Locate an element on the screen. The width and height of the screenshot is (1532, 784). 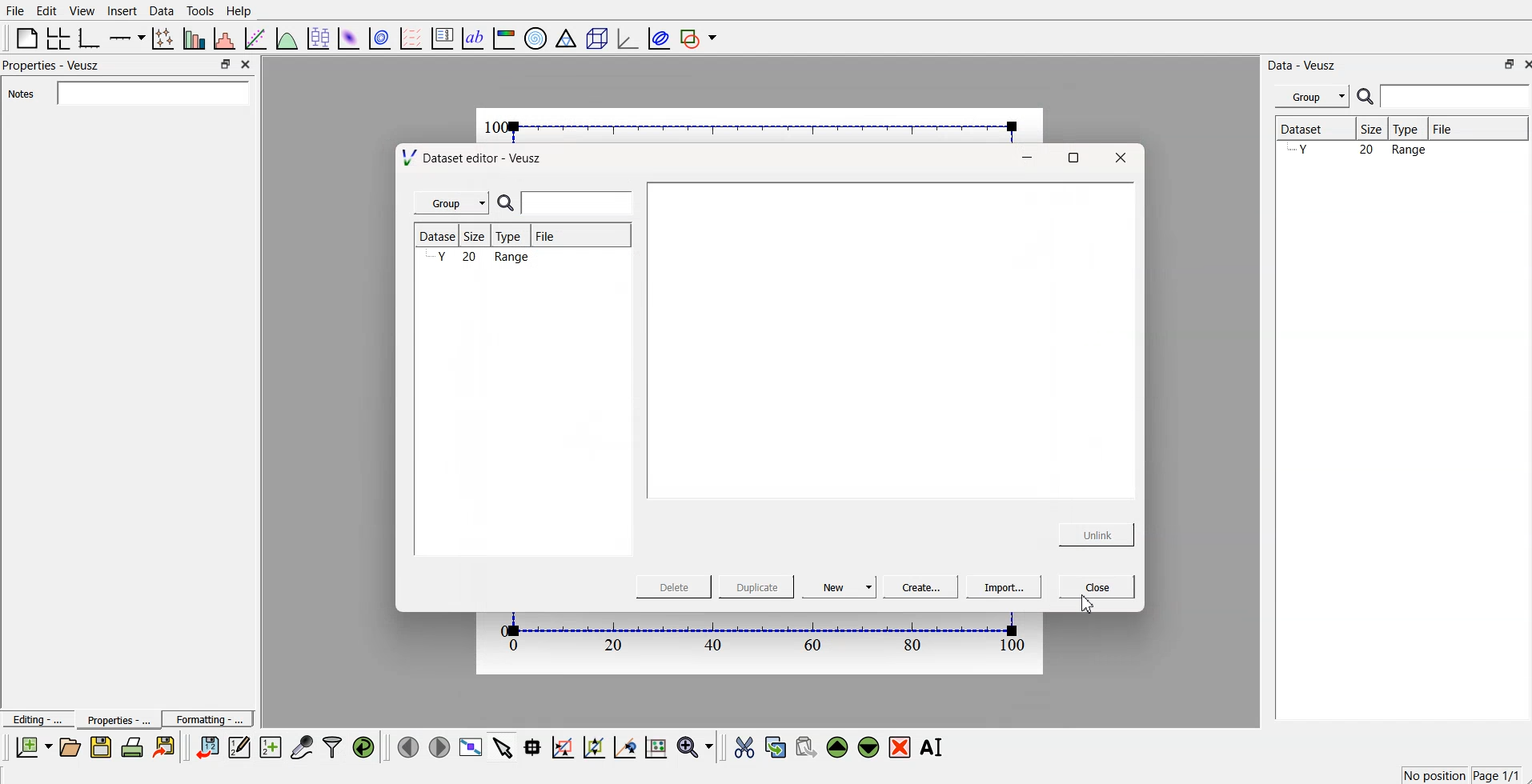
Type is located at coordinates (513, 236).